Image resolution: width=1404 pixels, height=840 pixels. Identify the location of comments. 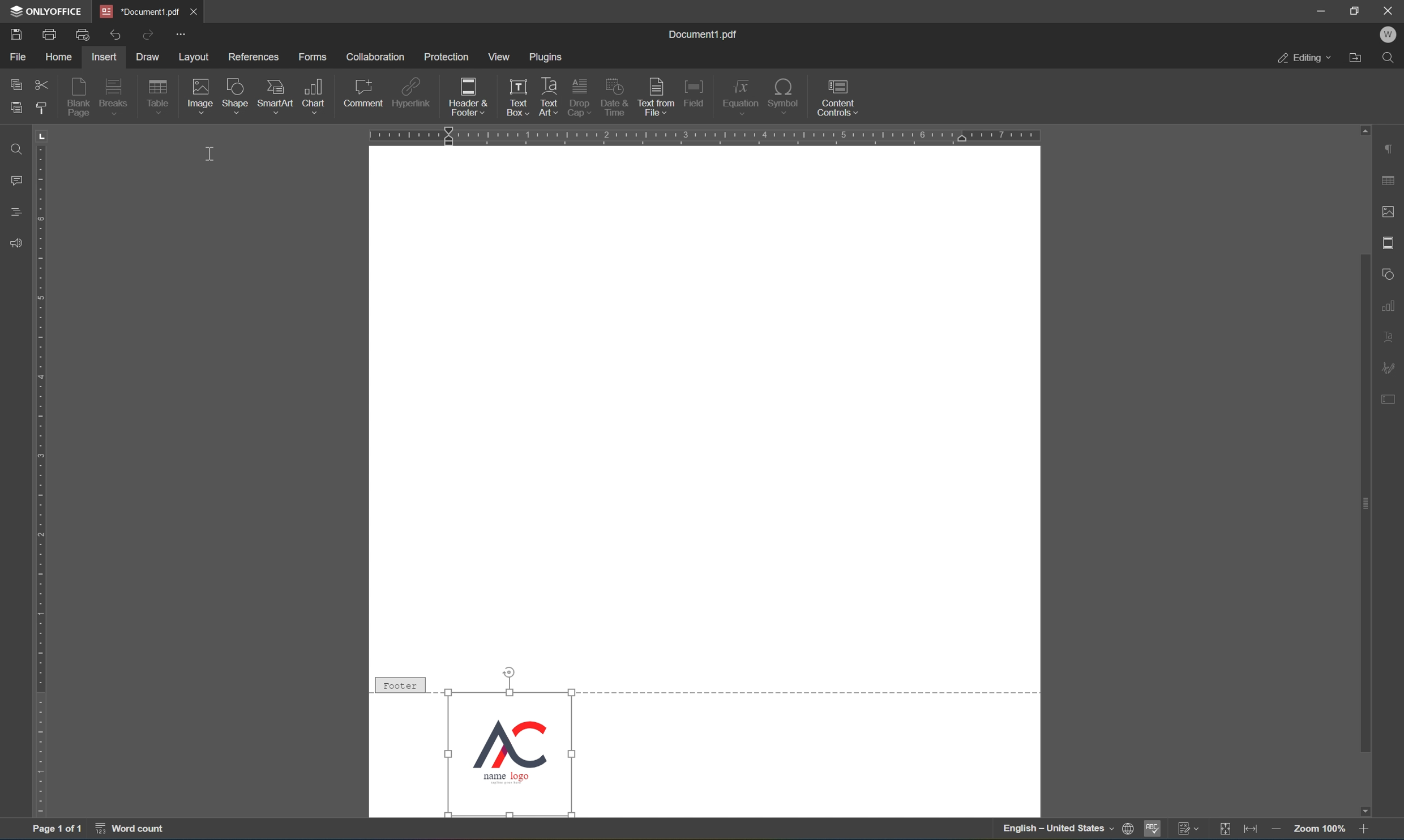
(15, 179).